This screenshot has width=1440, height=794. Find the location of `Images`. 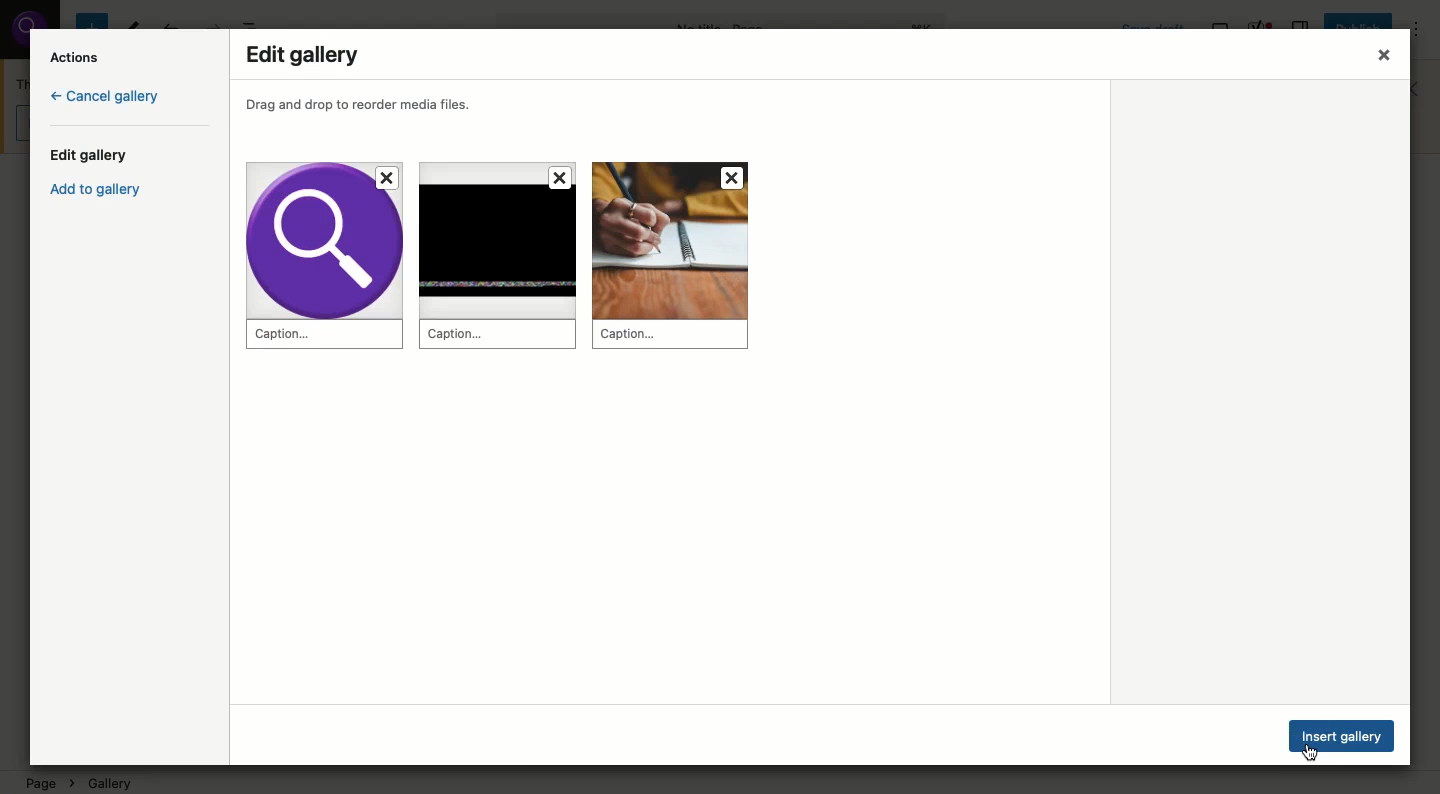

Images is located at coordinates (518, 262).